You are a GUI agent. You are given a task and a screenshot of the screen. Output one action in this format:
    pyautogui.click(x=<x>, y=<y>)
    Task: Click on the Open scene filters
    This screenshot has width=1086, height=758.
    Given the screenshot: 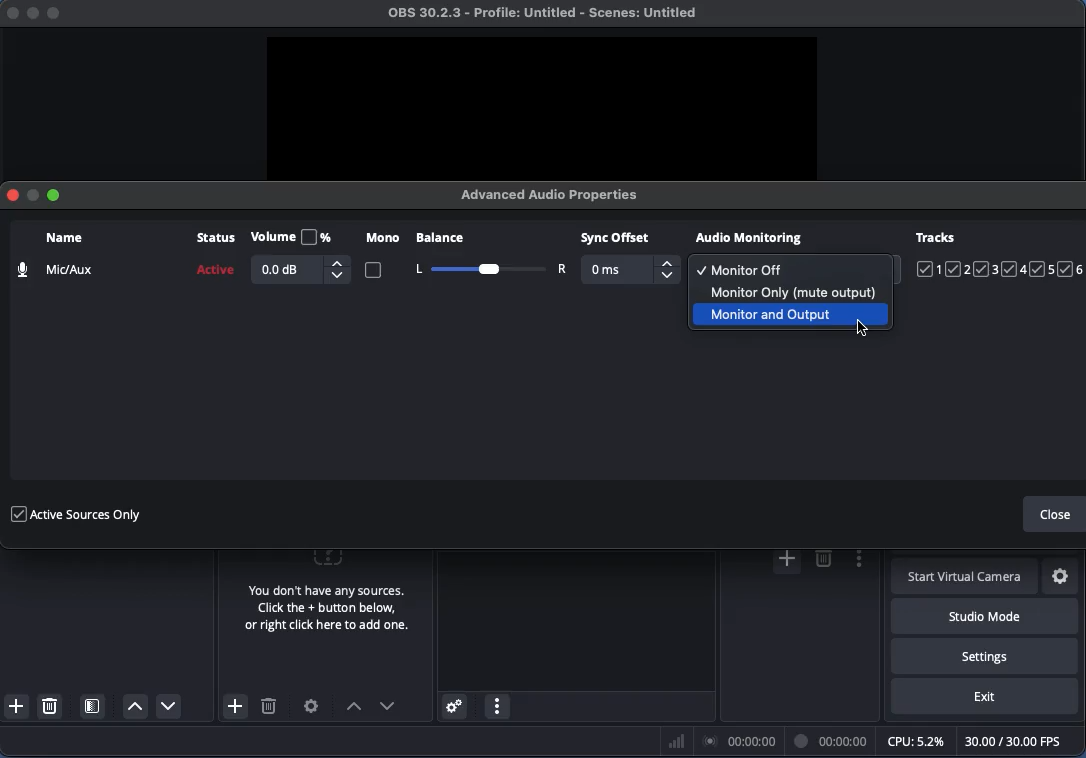 What is the action you would take?
    pyautogui.click(x=94, y=708)
    